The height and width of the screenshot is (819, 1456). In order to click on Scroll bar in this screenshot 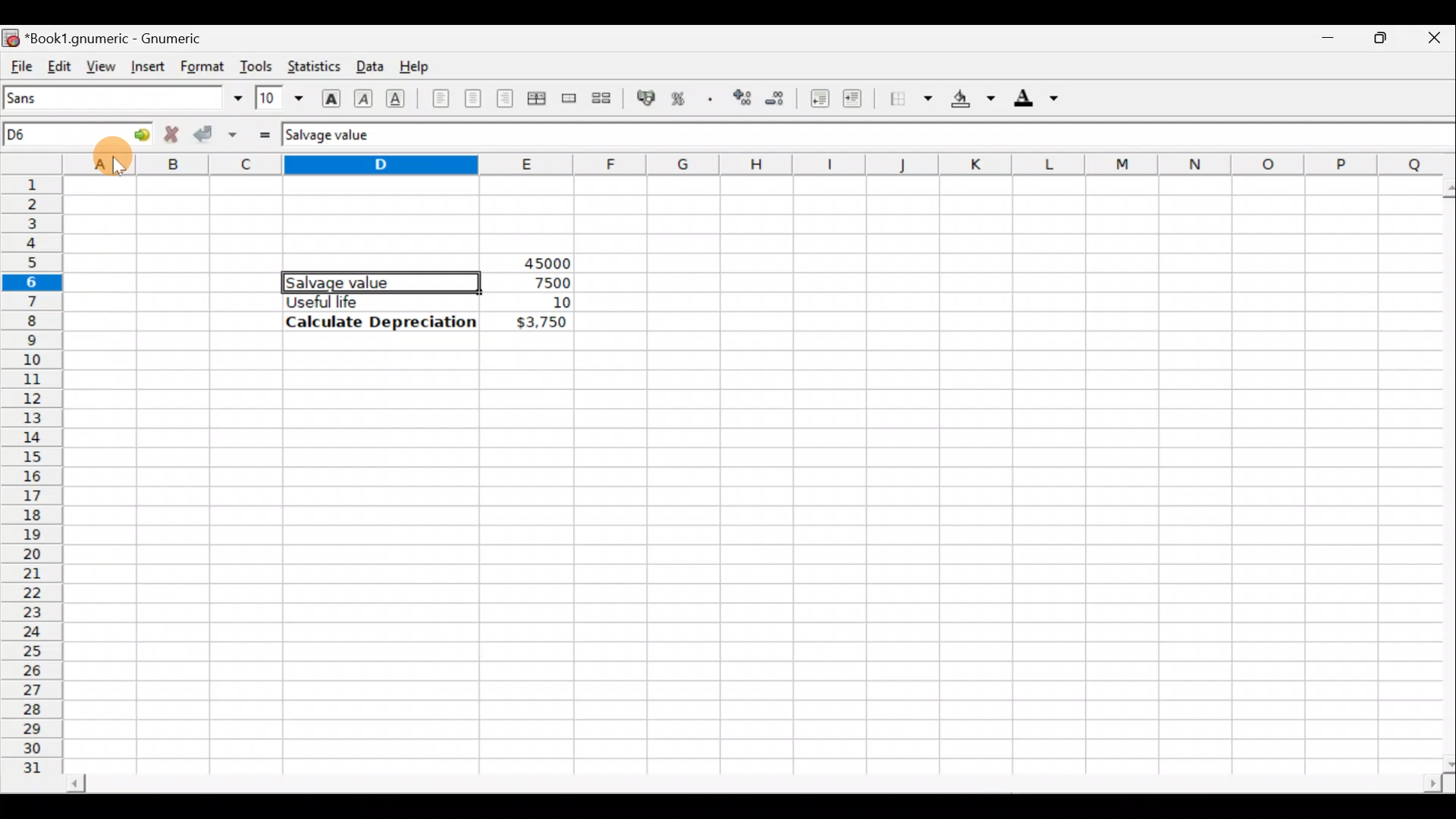, I will do `click(755, 784)`.